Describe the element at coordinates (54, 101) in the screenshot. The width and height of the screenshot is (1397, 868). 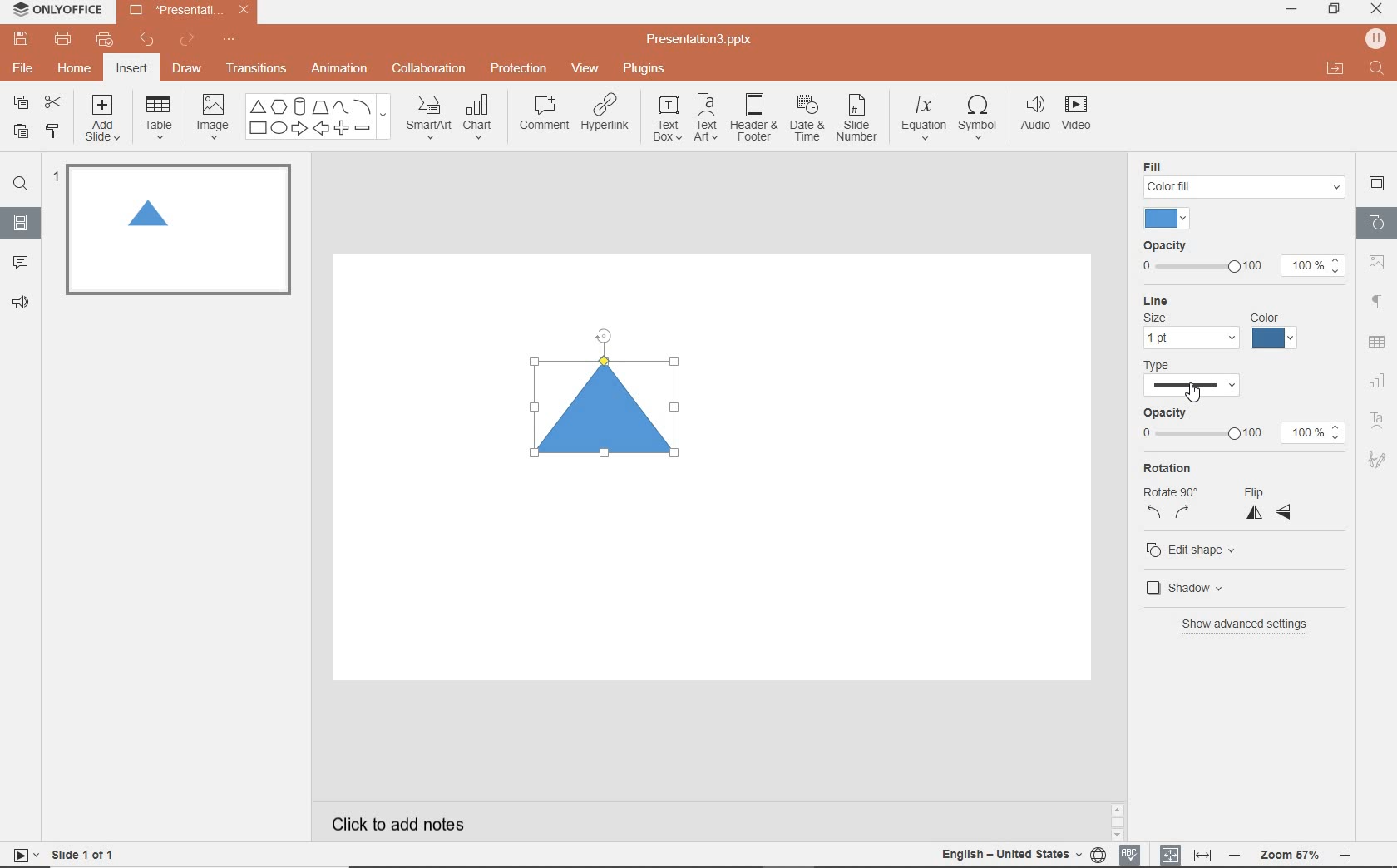
I see `CUT` at that location.